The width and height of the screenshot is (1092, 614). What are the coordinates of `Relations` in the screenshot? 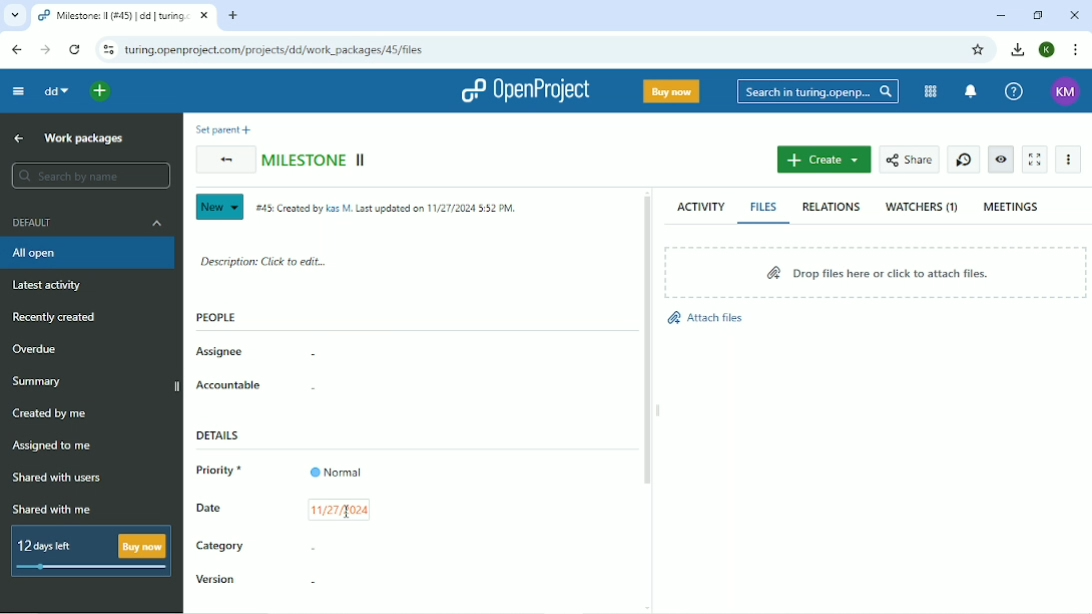 It's located at (831, 207).